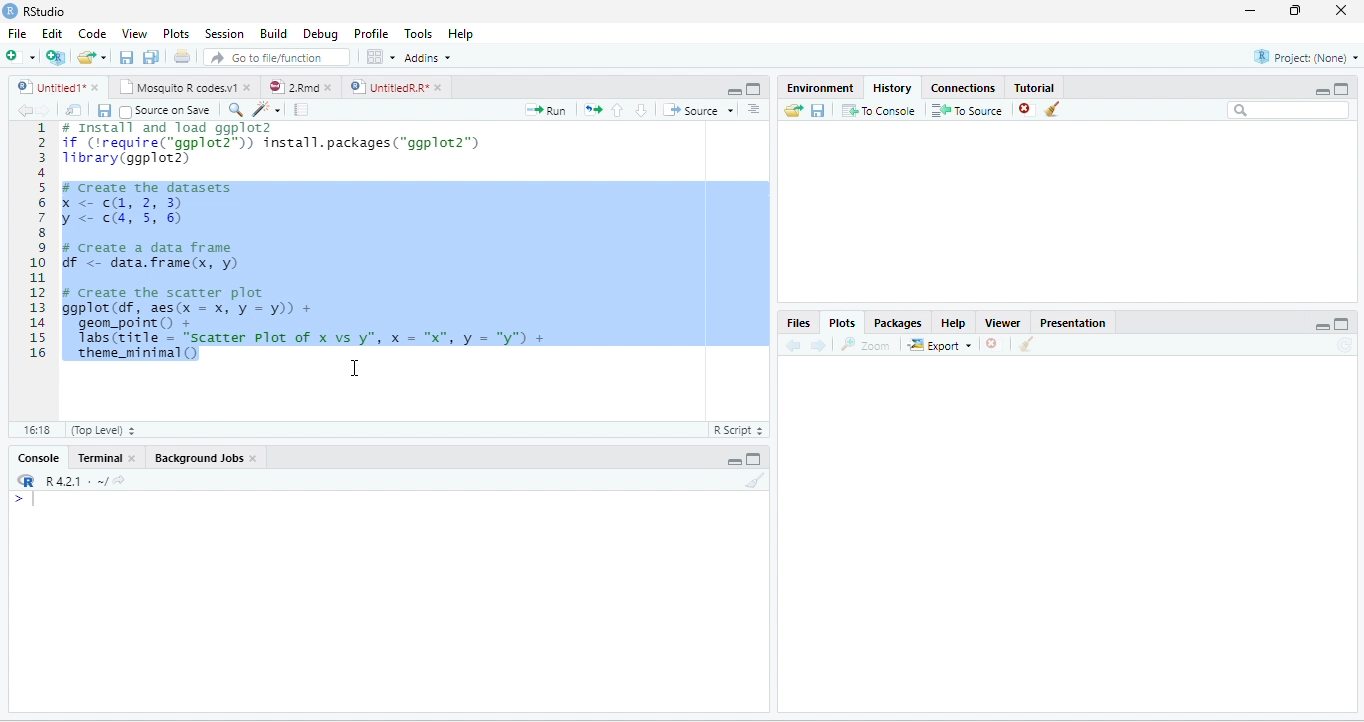  Describe the element at coordinates (756, 480) in the screenshot. I see `Clear console` at that location.